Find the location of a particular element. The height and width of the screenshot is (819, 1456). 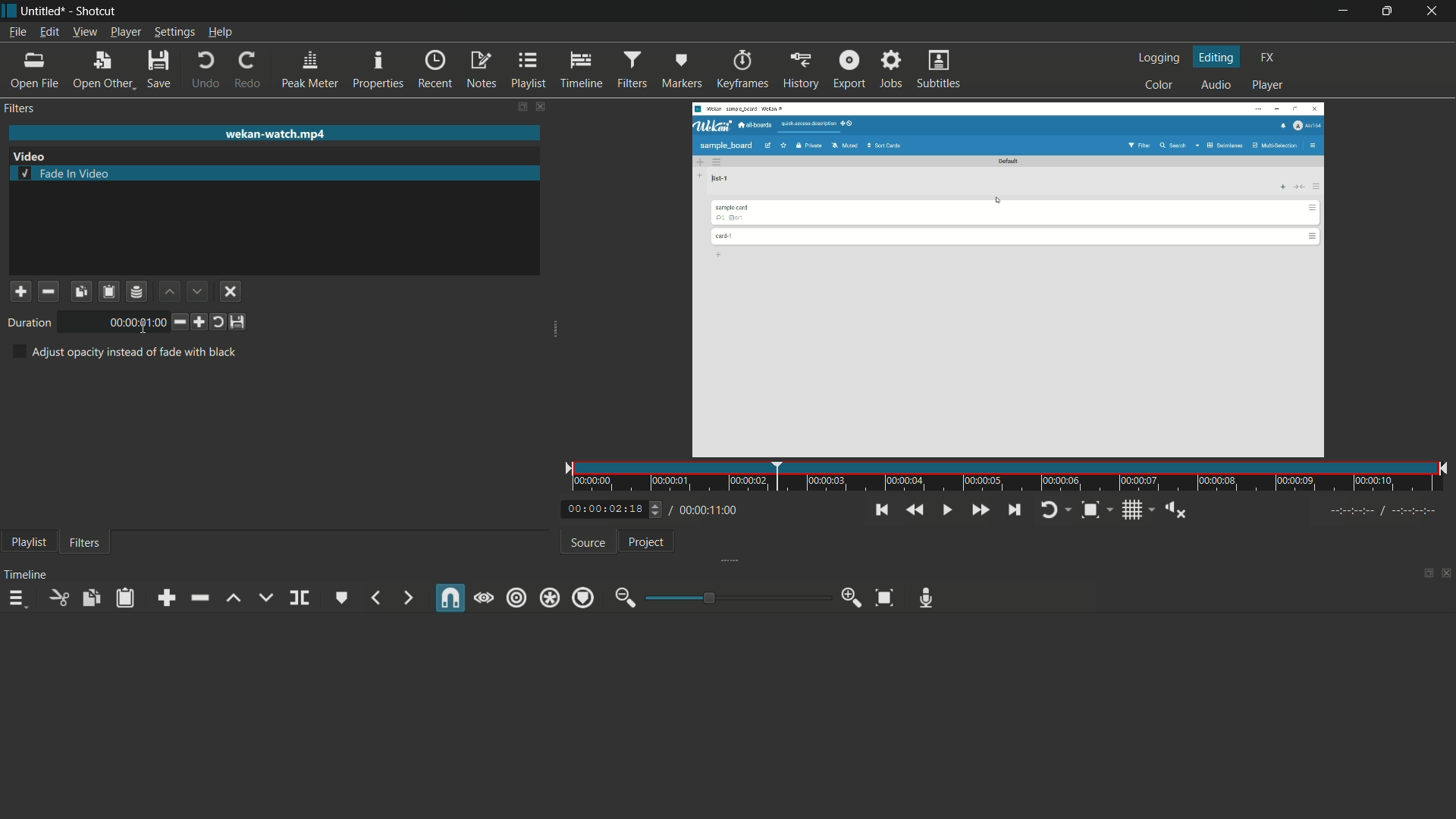

zoom timeline to fit is located at coordinates (885, 597).